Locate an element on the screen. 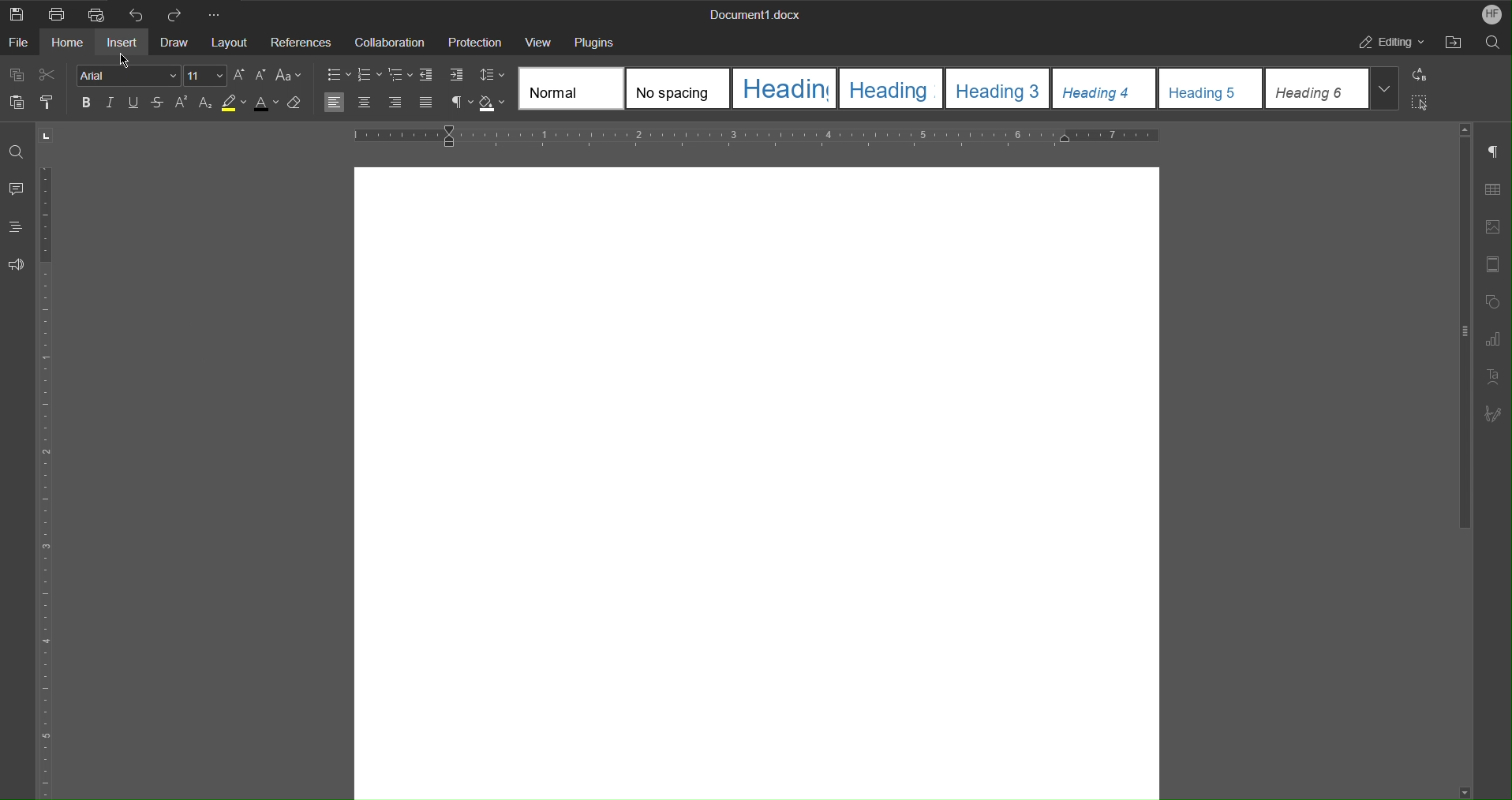 This screenshot has height=800, width=1512. Header/Footer is located at coordinates (1492, 264).